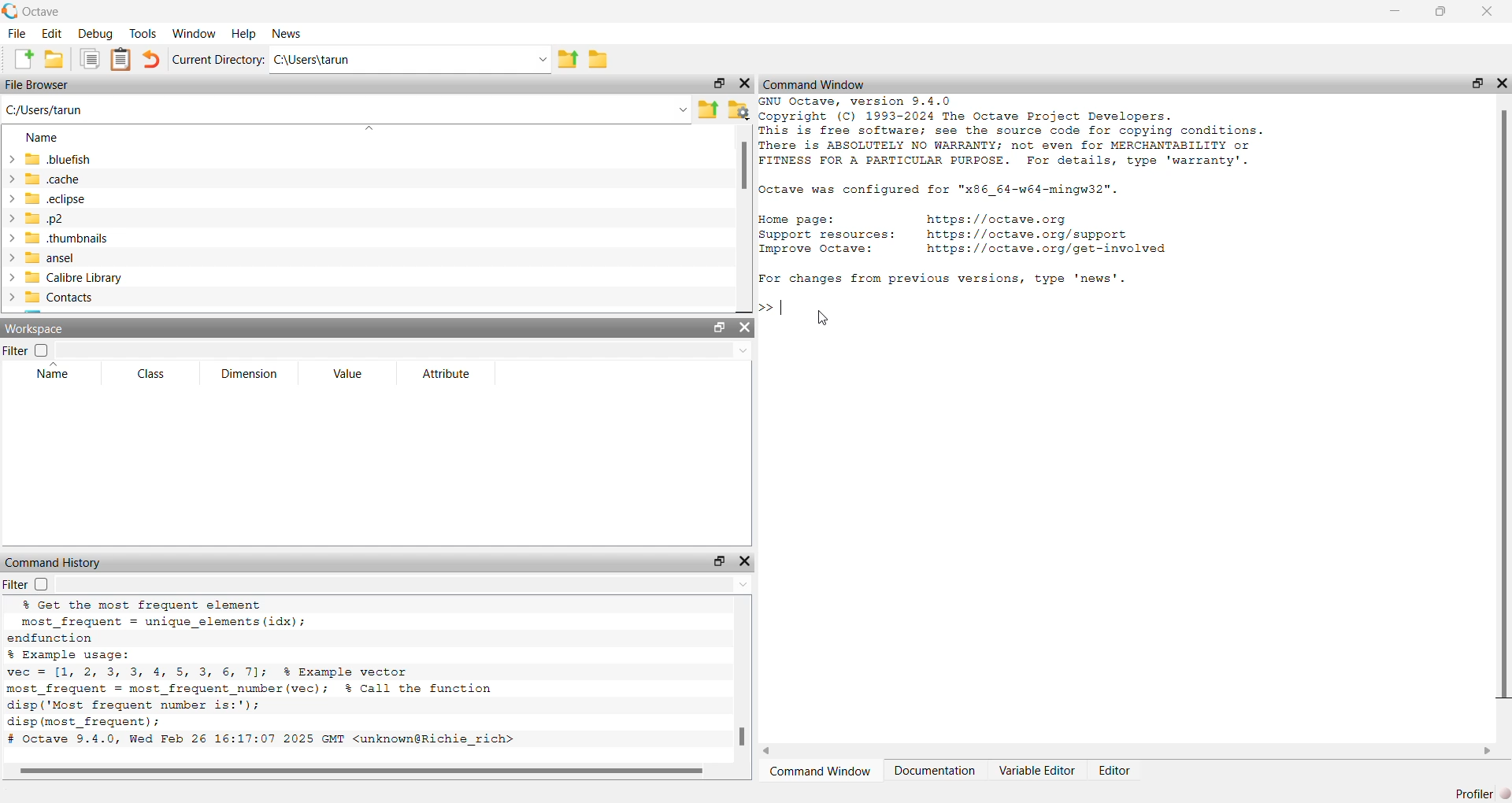 This screenshot has width=1512, height=803. What do you see at coordinates (27, 350) in the screenshot?
I see `Filter` at bounding box center [27, 350].